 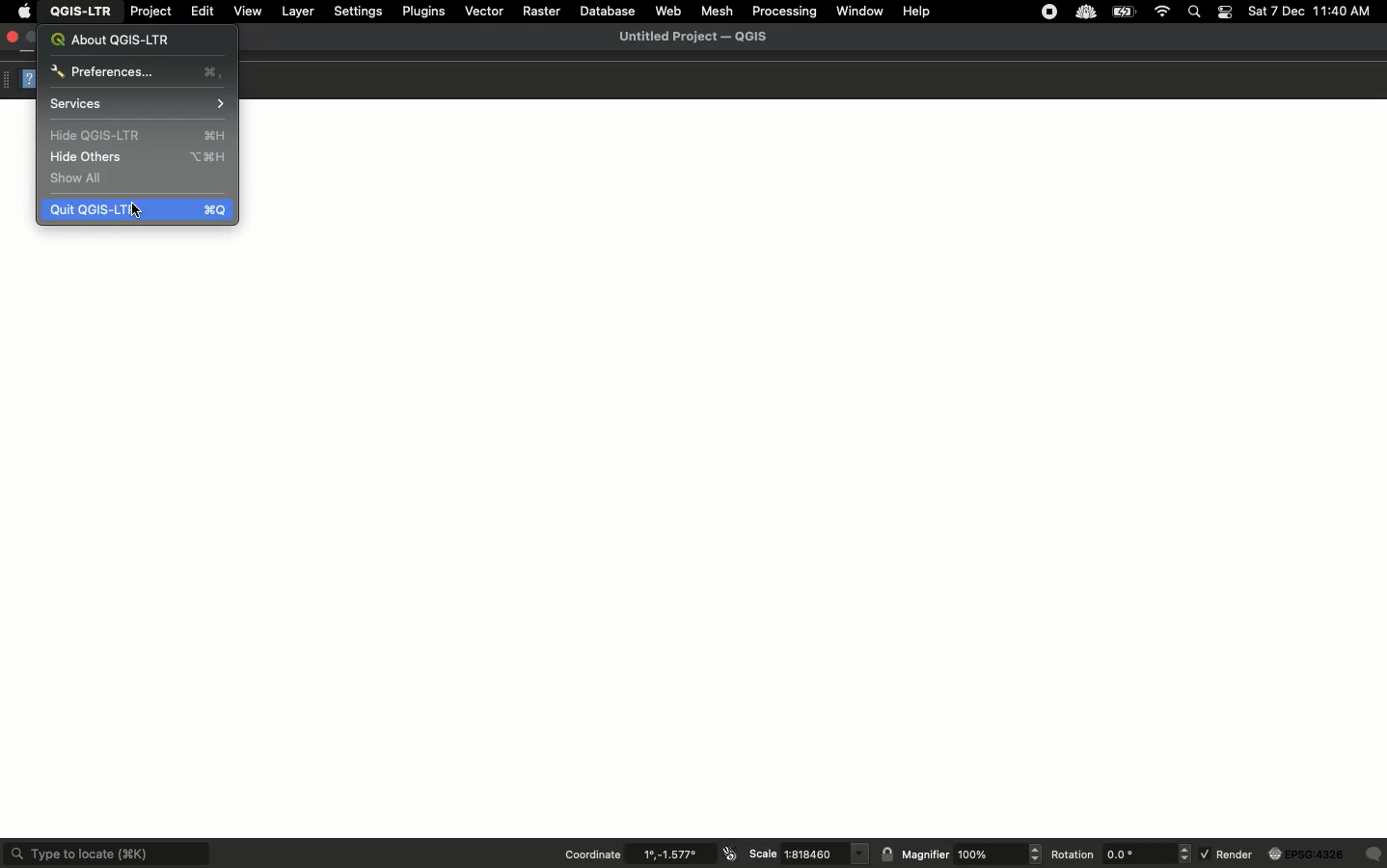 I want to click on Notification, so click(x=1223, y=14).